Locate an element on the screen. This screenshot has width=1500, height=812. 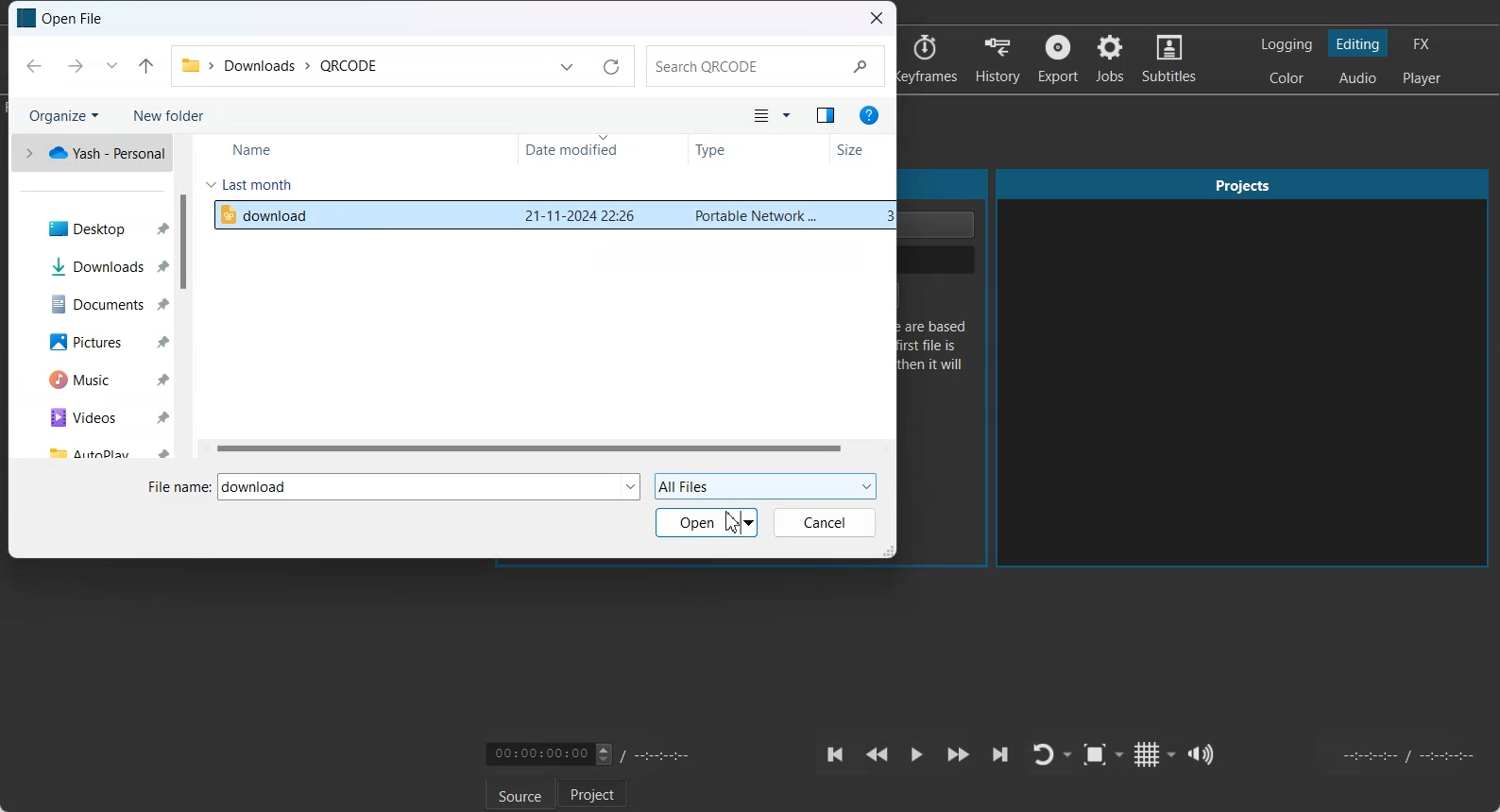
Close is located at coordinates (876, 18).